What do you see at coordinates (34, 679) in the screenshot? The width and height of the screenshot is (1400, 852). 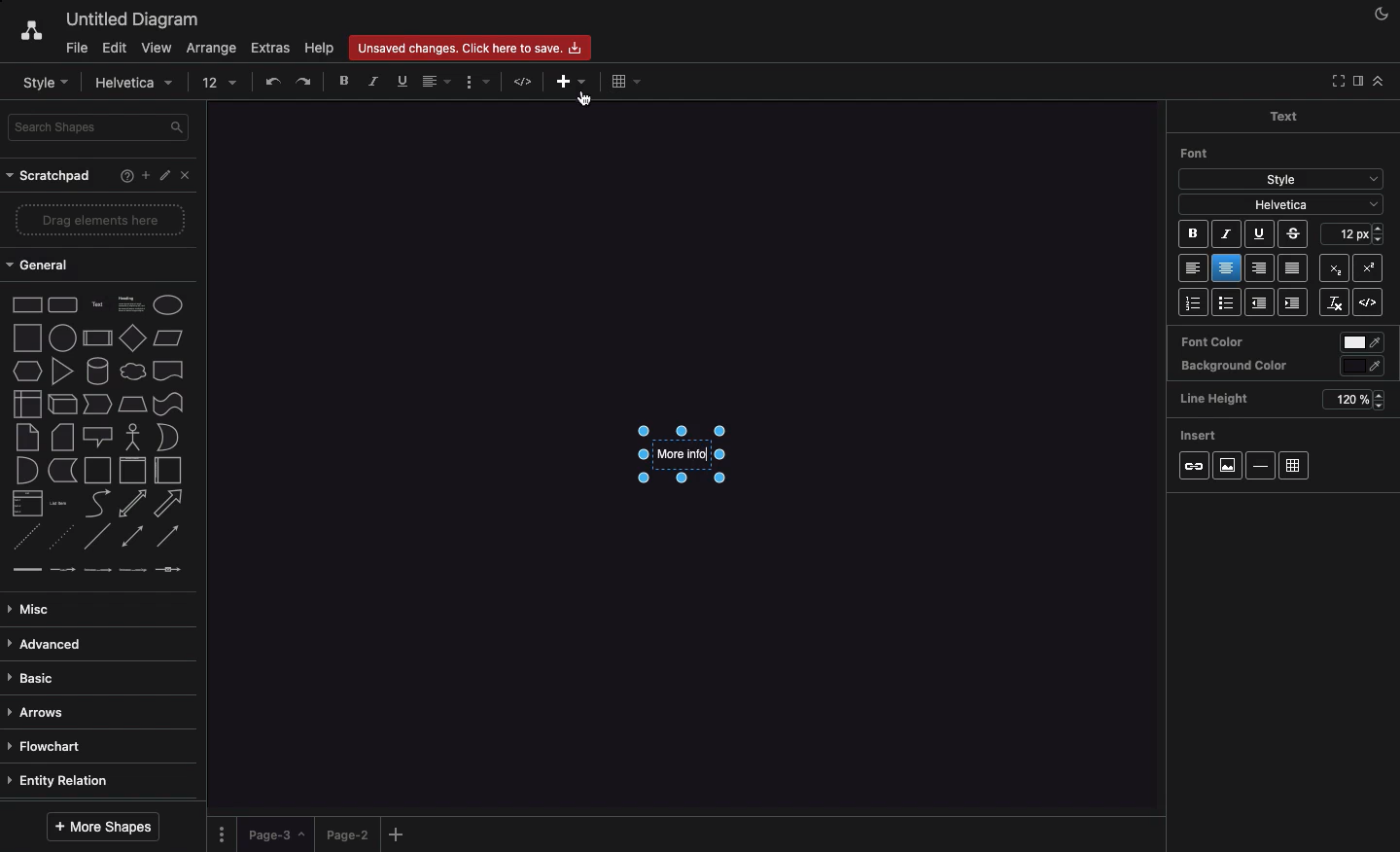 I see `Basic` at bounding box center [34, 679].